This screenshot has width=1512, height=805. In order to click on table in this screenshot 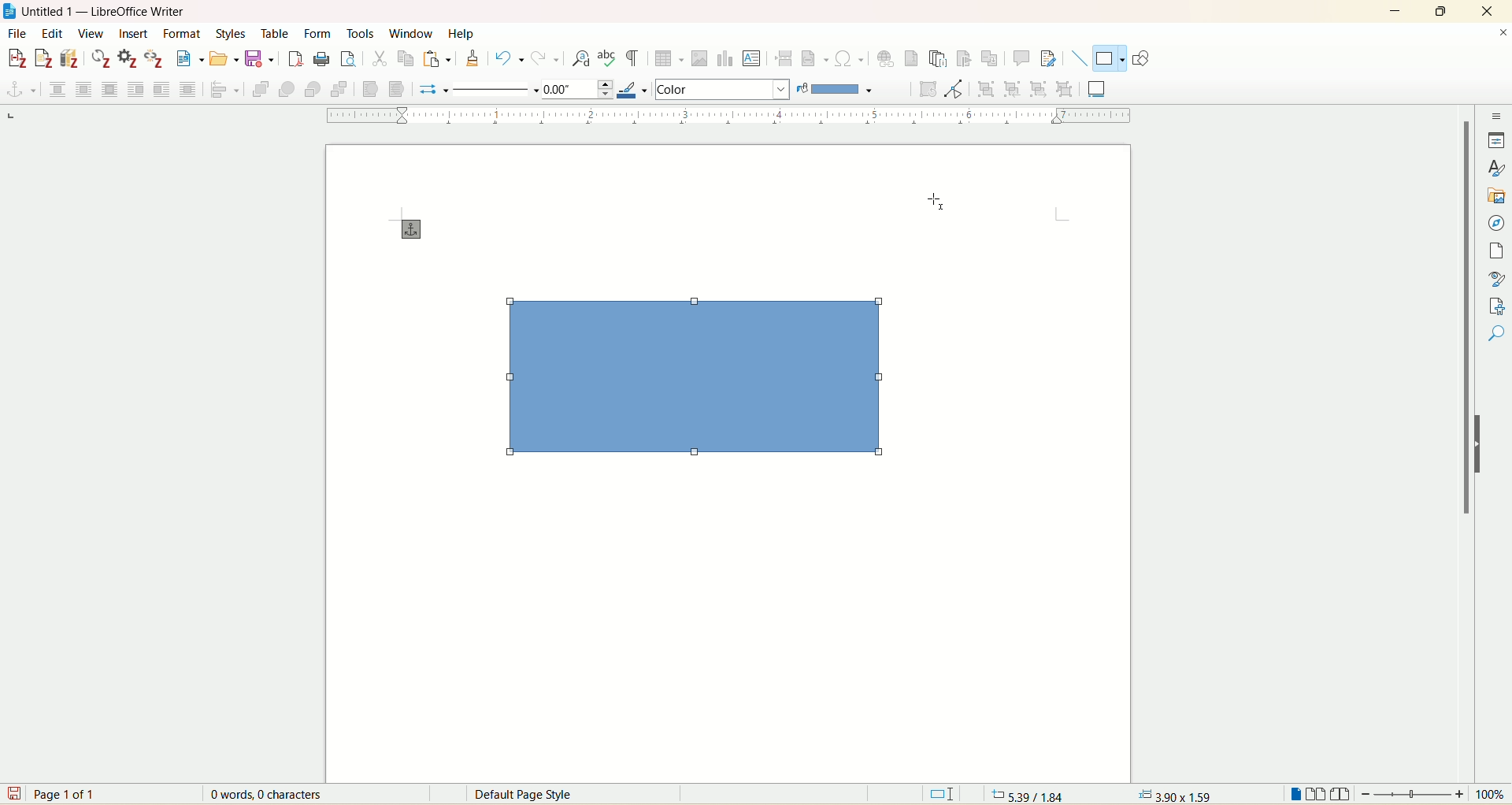, I will do `click(280, 33)`.